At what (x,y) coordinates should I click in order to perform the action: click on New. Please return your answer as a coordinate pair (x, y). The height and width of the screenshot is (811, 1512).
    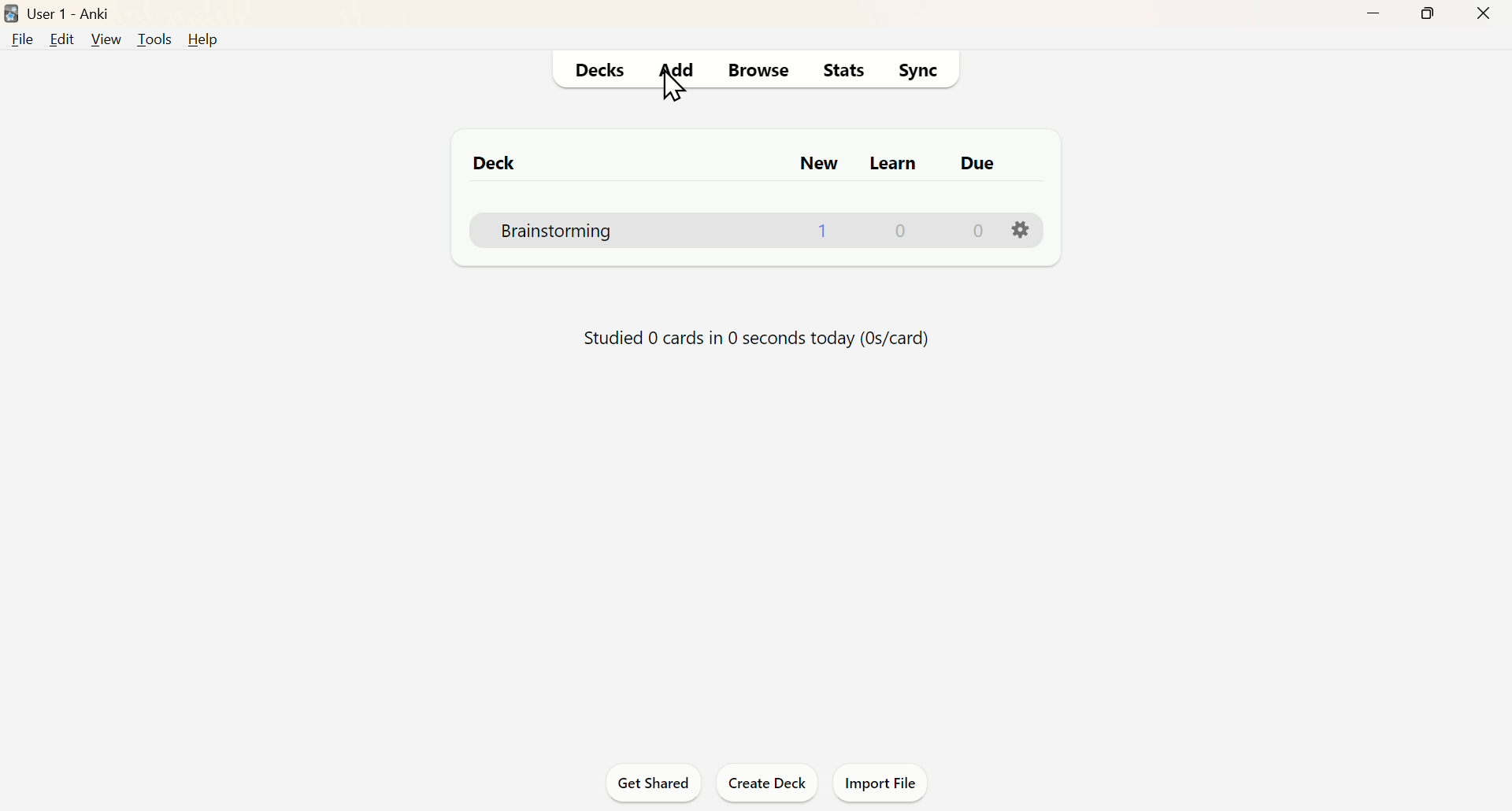
    Looking at the image, I should click on (817, 163).